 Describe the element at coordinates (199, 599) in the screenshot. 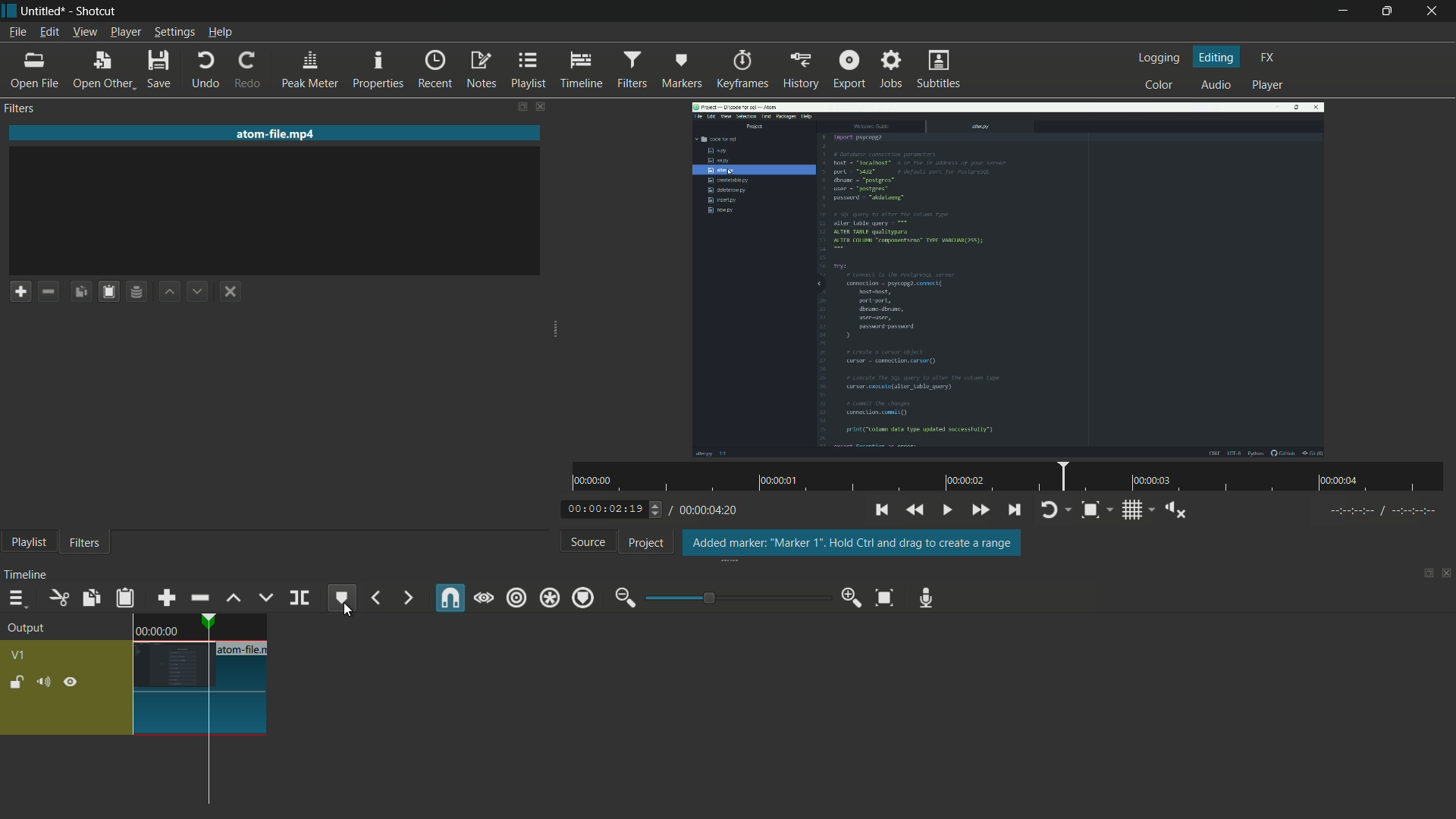

I see `ripple delete` at that location.